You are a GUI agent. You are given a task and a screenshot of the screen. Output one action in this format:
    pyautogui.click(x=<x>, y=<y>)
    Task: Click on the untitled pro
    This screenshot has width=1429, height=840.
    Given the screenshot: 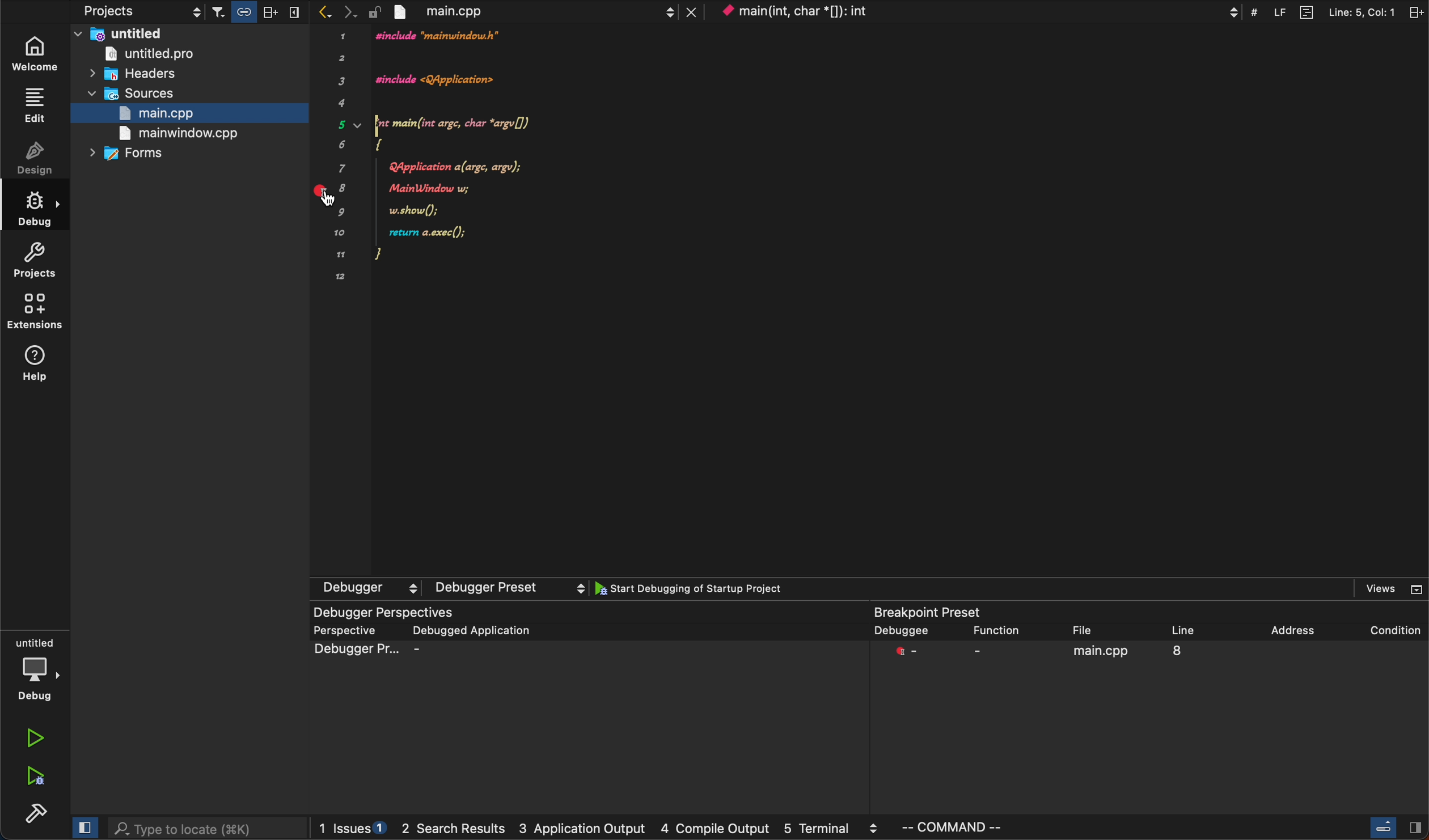 What is the action you would take?
    pyautogui.click(x=172, y=54)
    